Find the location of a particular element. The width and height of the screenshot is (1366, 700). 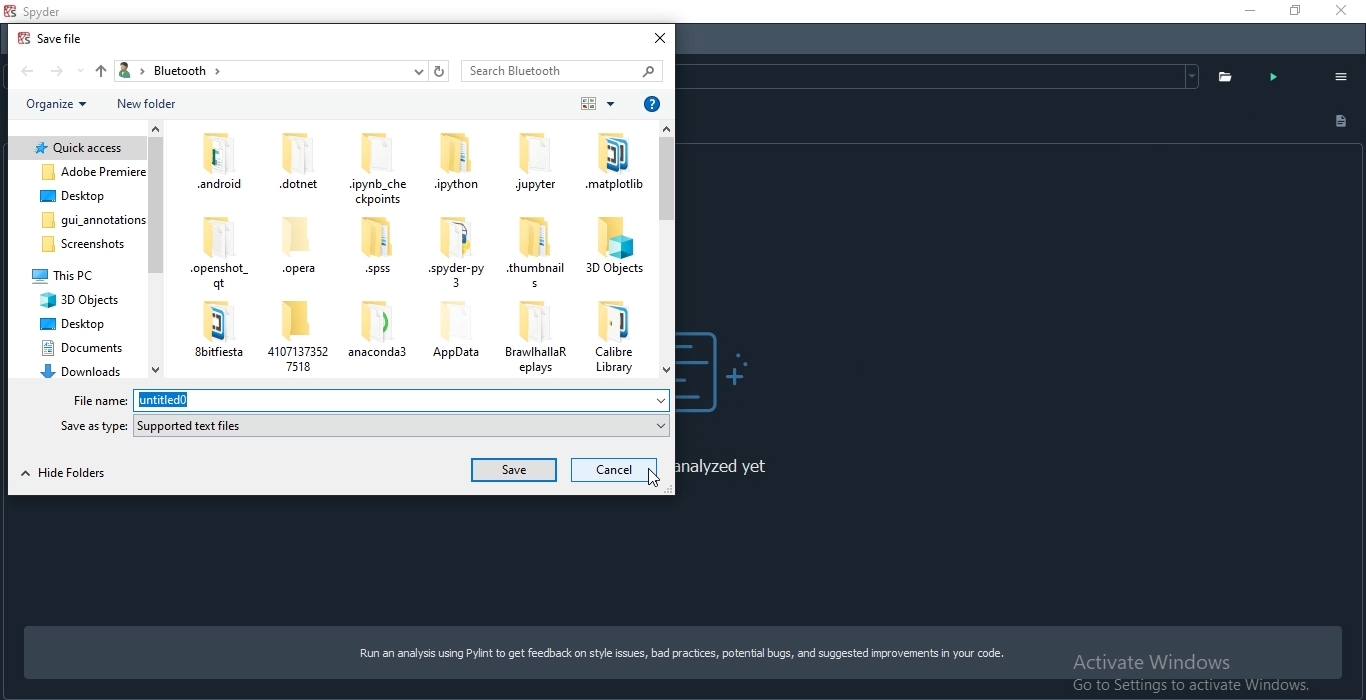

folder 1 is located at coordinates (75, 148).